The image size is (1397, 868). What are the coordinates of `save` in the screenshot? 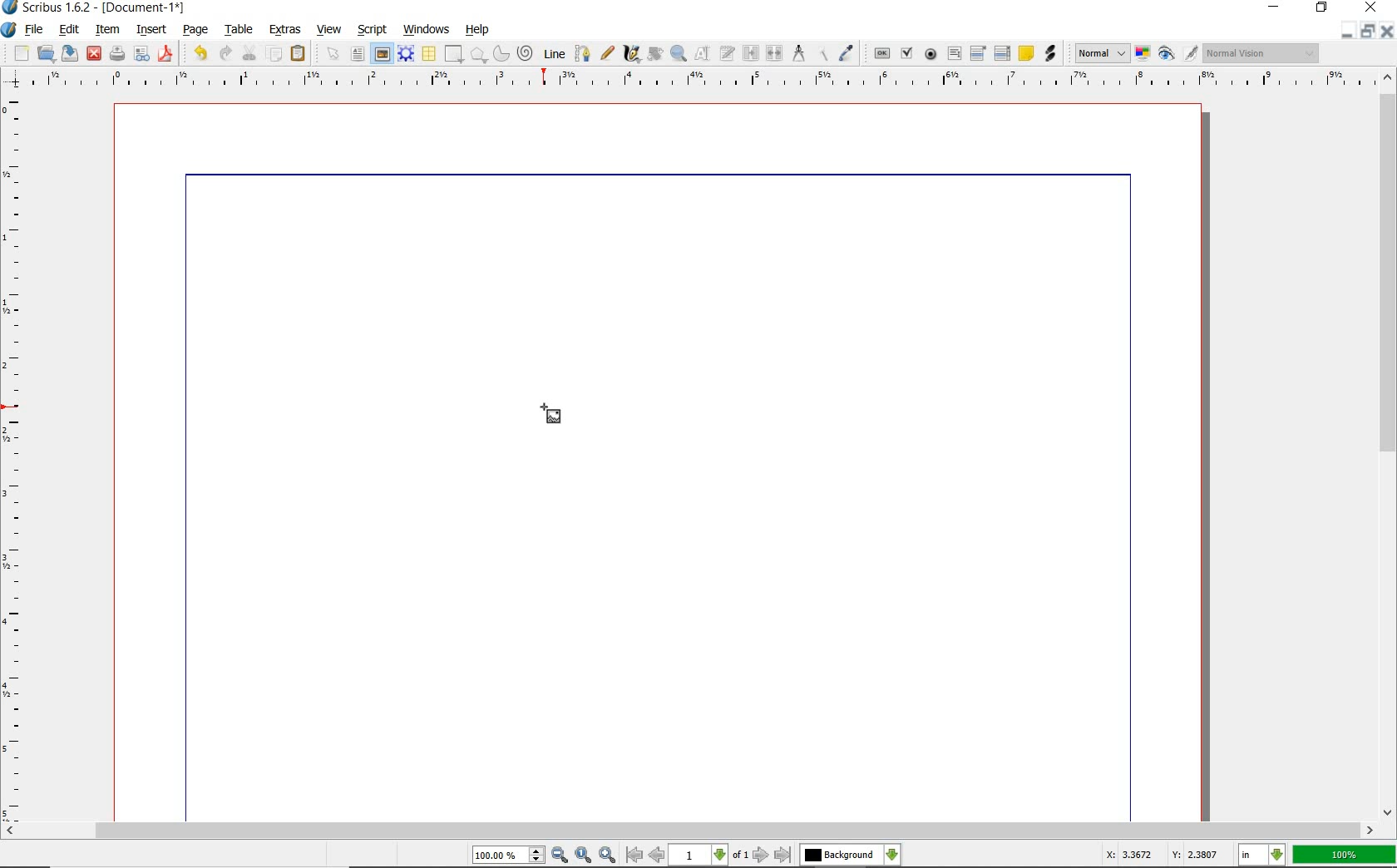 It's located at (72, 52).